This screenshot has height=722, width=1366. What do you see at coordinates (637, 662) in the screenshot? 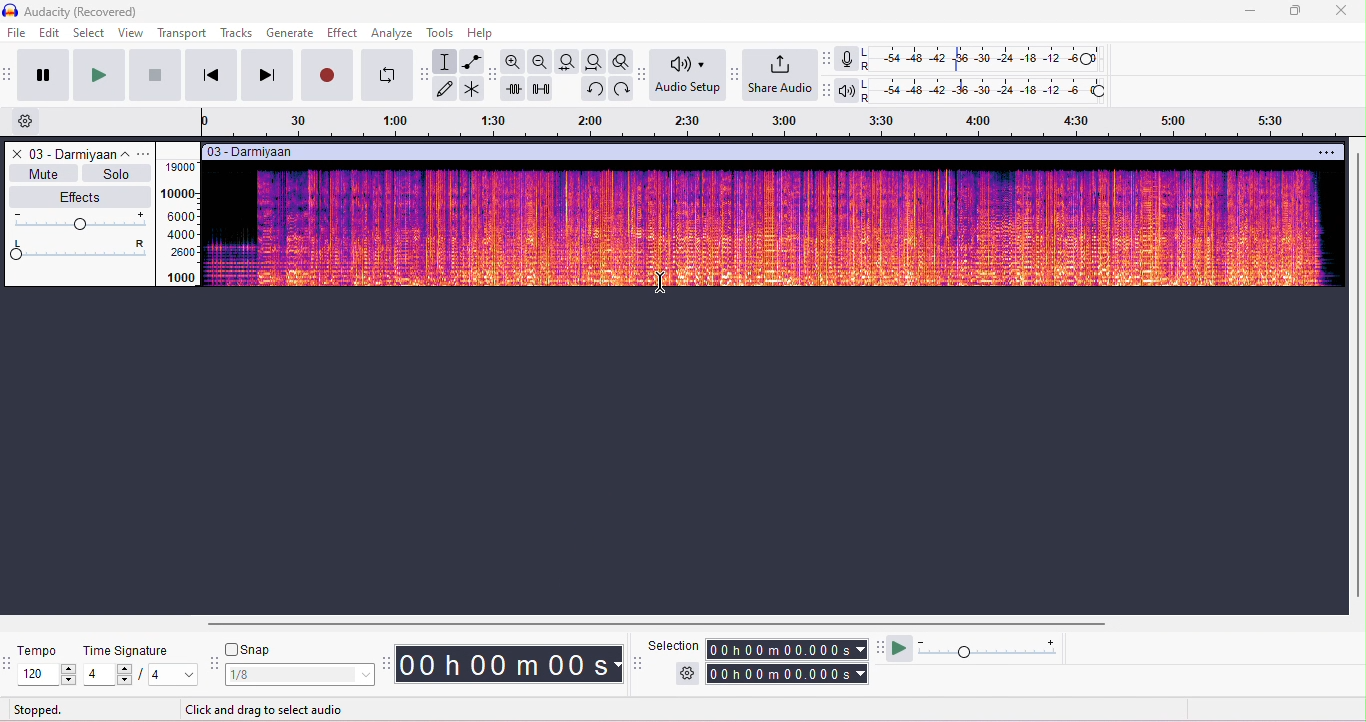
I see `selection tool bar` at bounding box center [637, 662].